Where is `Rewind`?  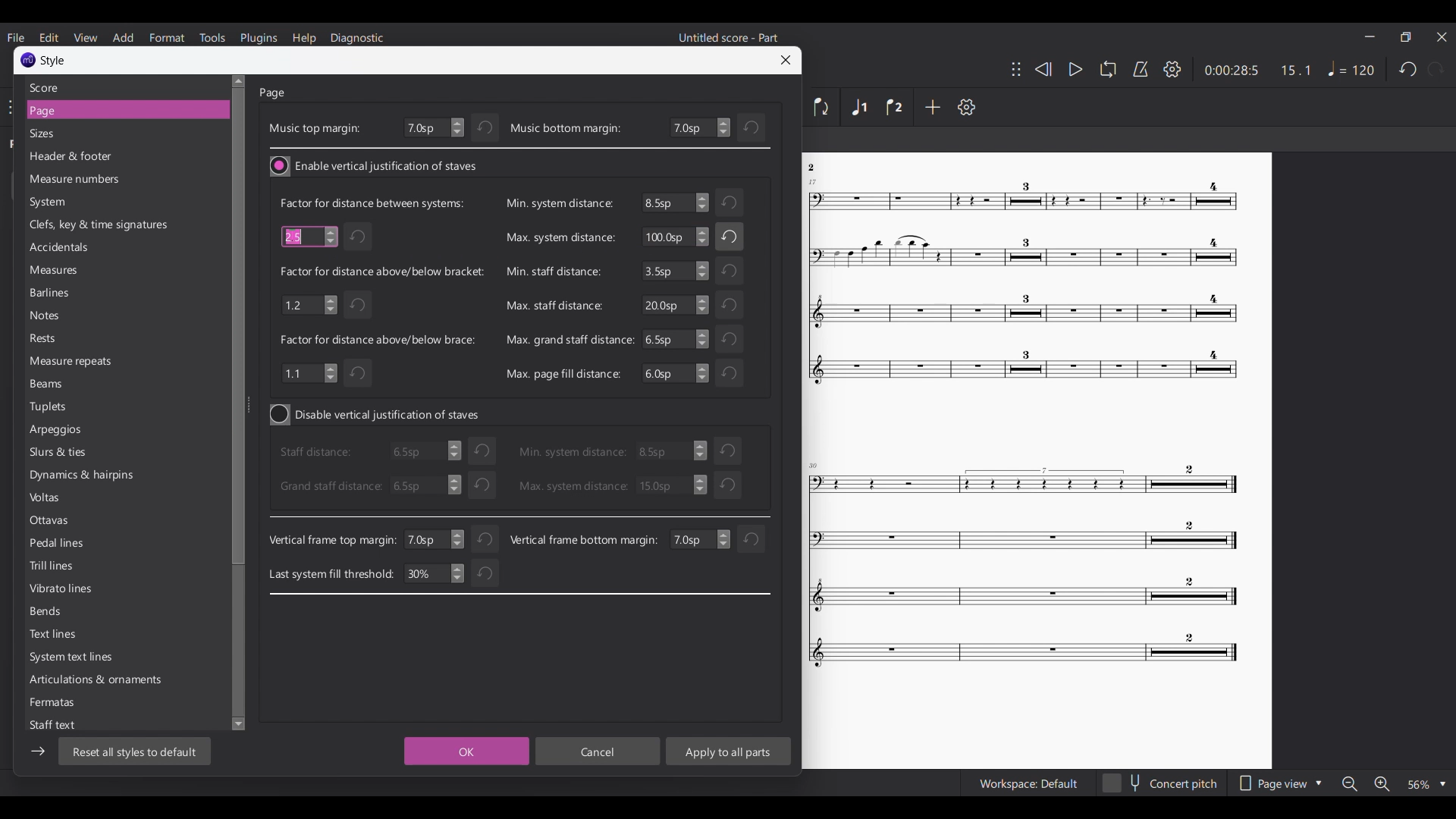 Rewind is located at coordinates (1043, 69).